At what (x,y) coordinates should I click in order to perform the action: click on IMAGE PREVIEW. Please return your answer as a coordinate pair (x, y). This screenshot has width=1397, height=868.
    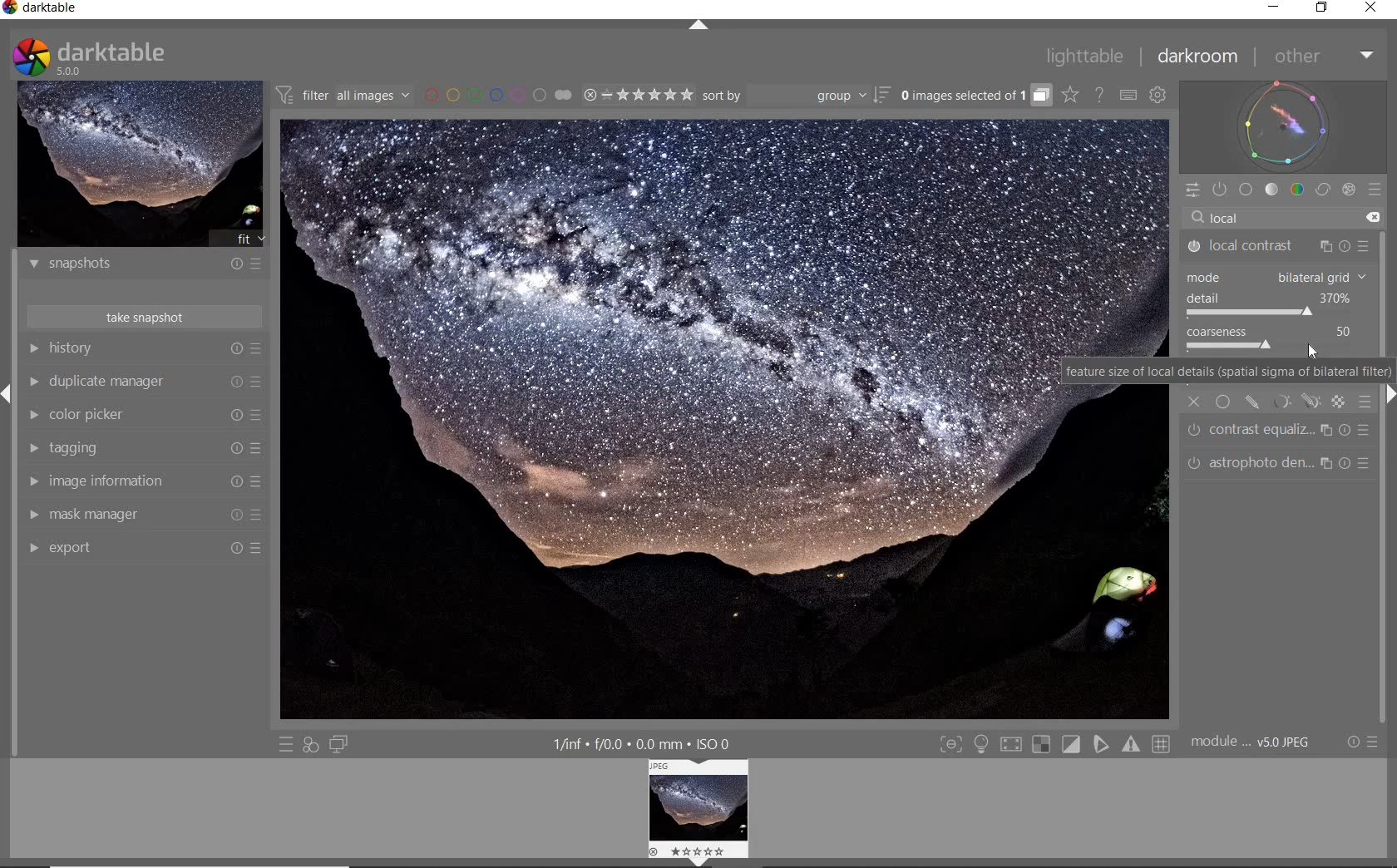
    Looking at the image, I should click on (141, 165).